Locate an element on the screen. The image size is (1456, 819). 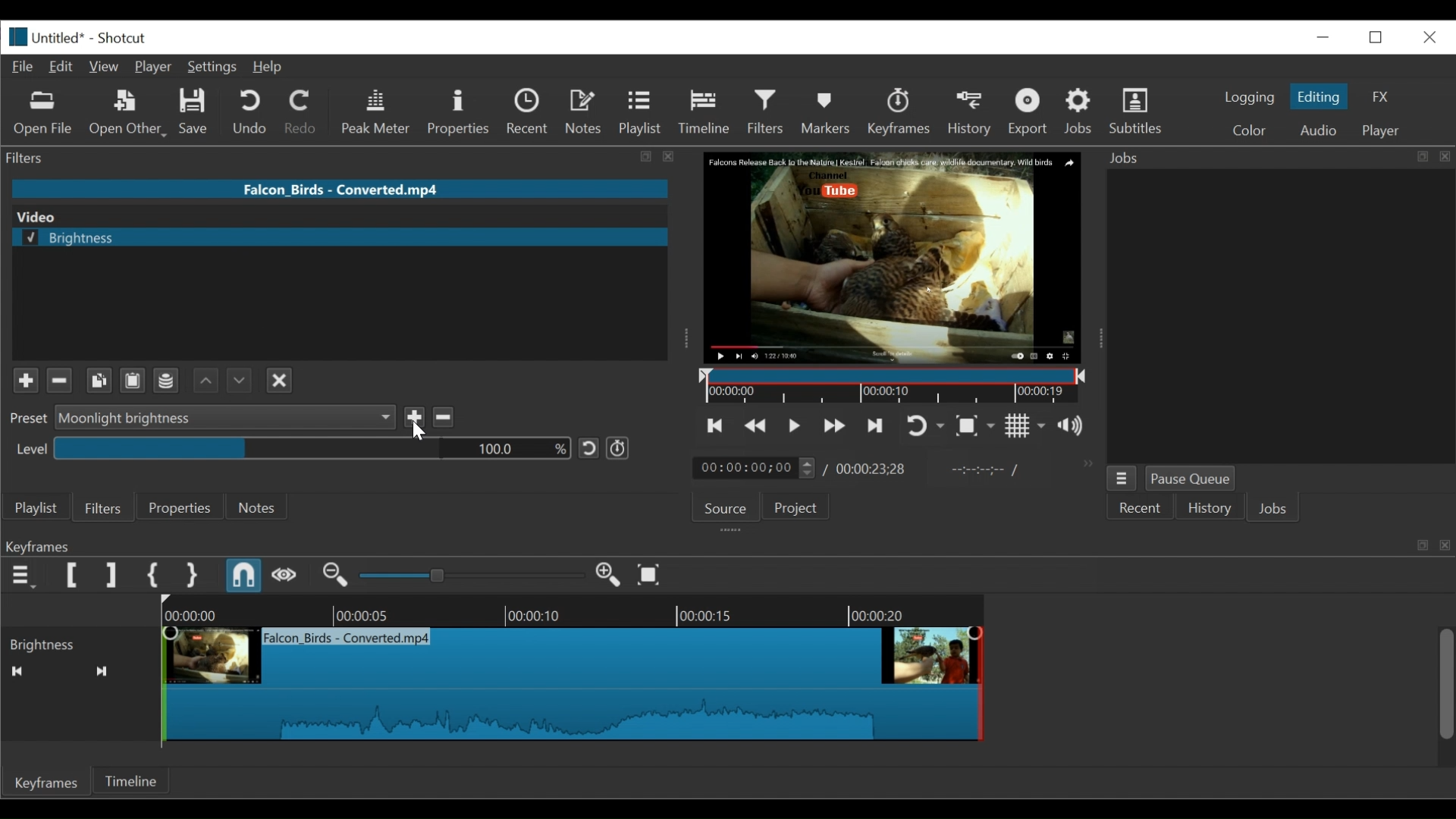
Export is located at coordinates (1029, 112).